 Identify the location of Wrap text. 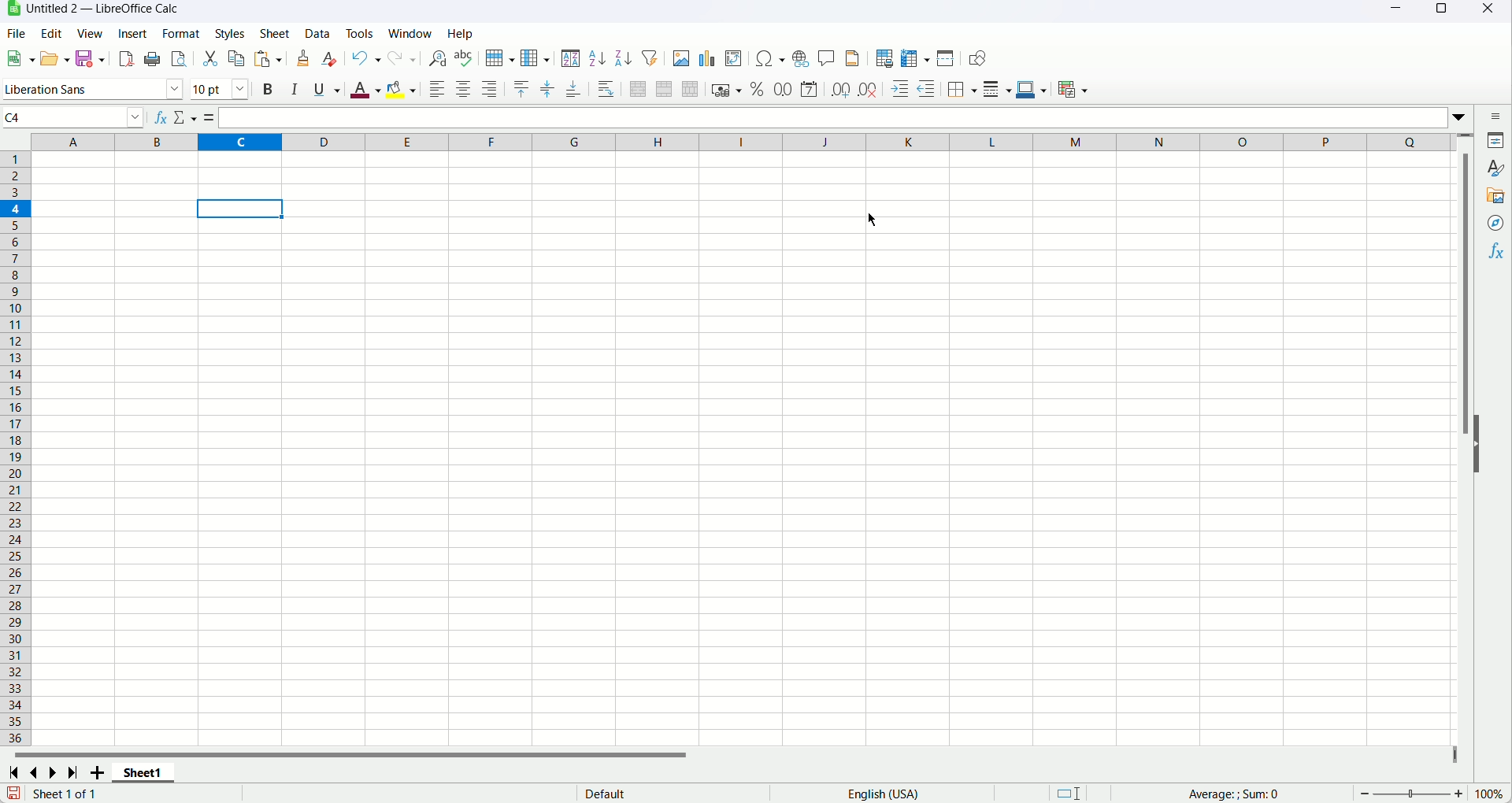
(606, 89).